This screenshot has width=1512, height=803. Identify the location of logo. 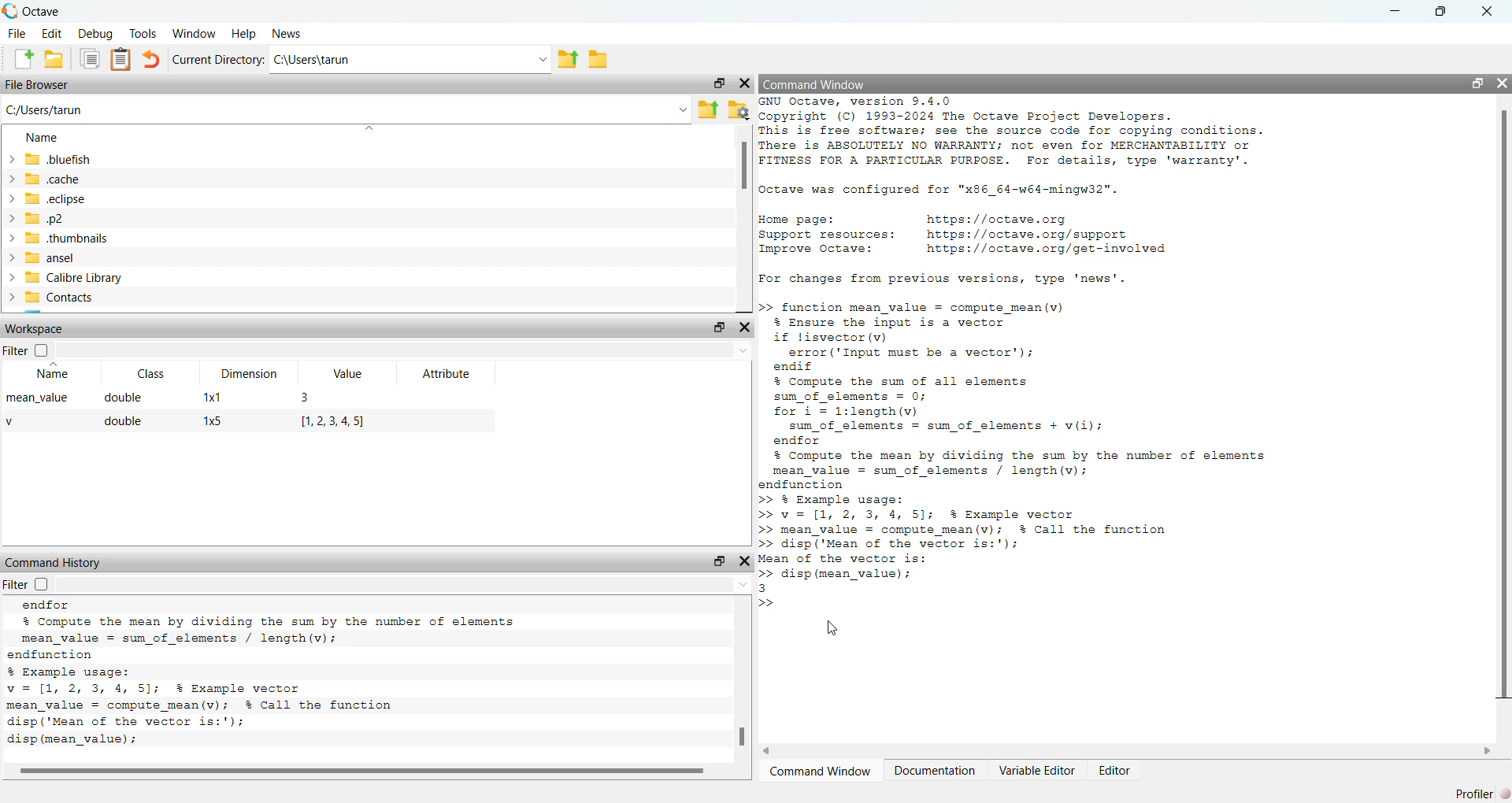
(11, 11).